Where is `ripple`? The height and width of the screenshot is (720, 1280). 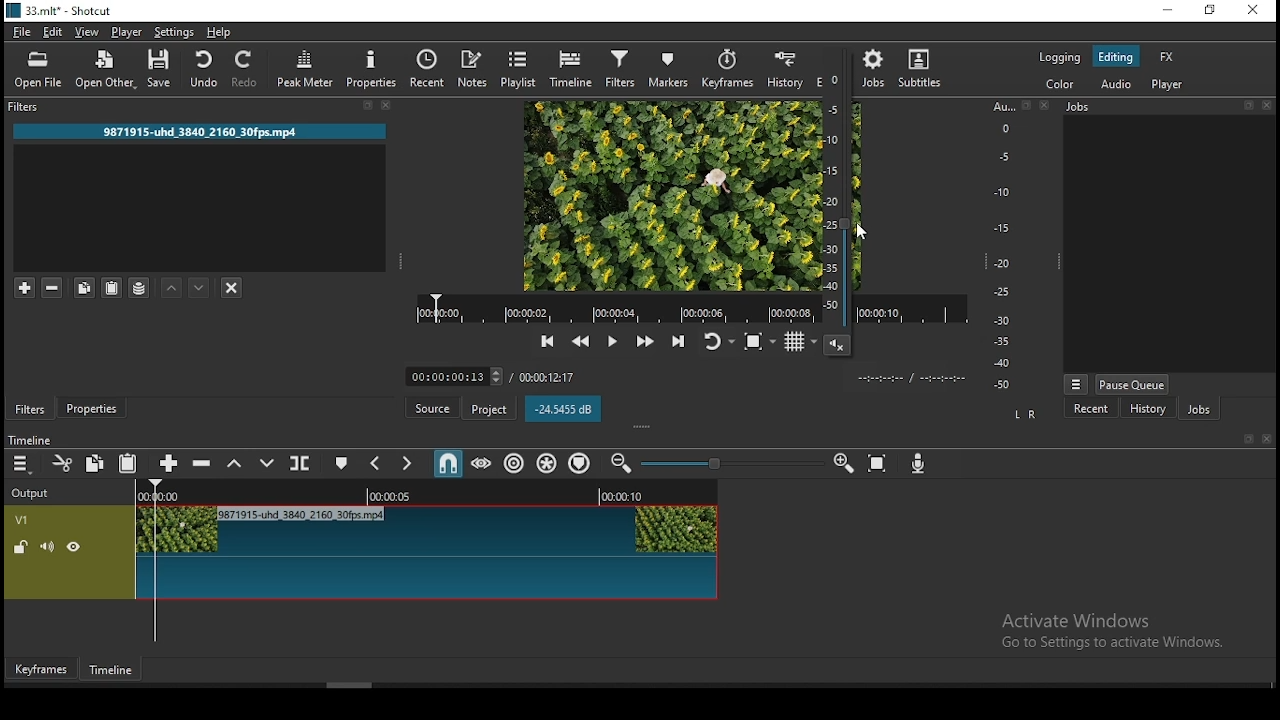
ripple is located at coordinates (515, 463).